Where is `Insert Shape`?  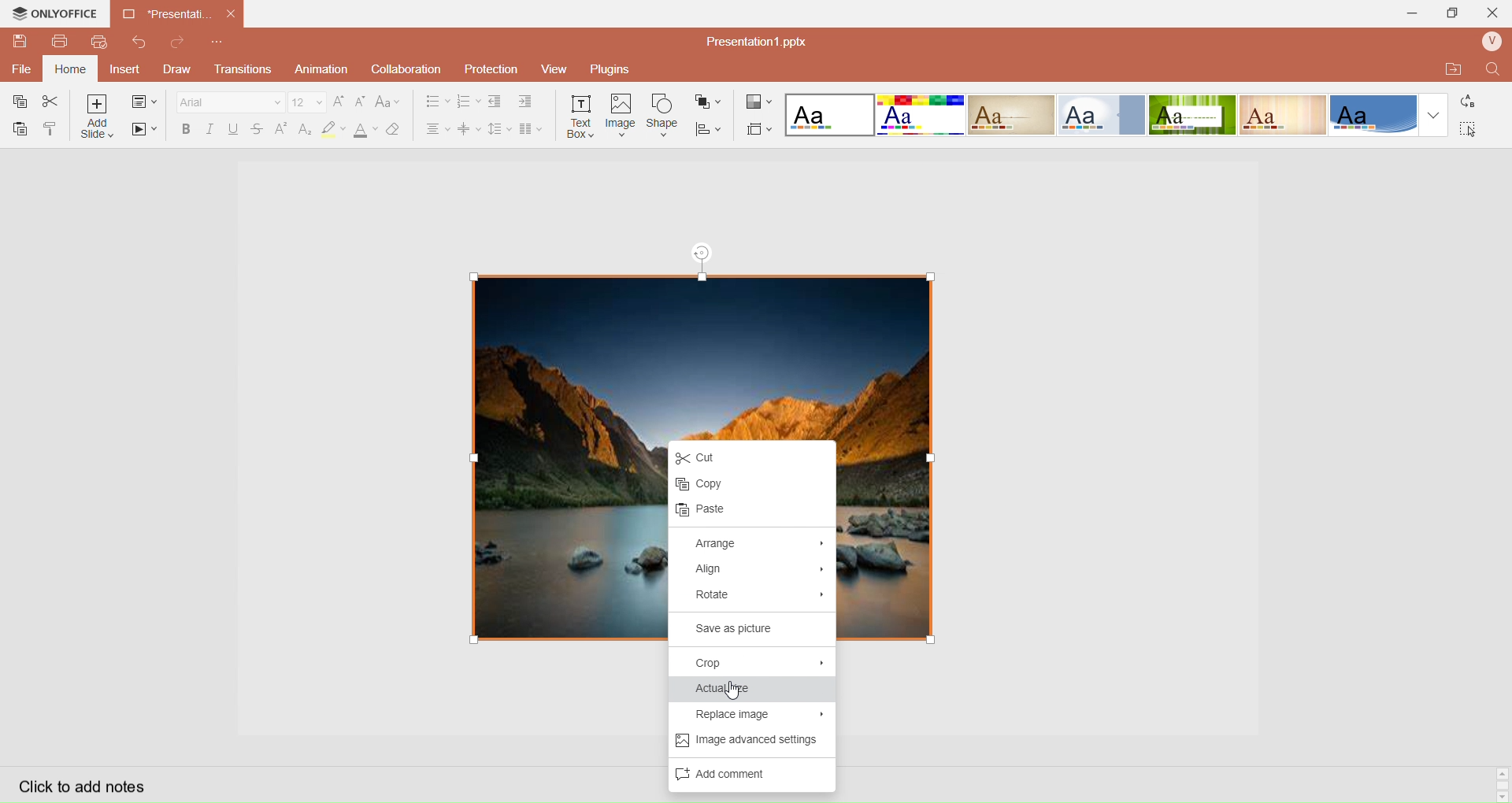
Insert Shape is located at coordinates (663, 116).